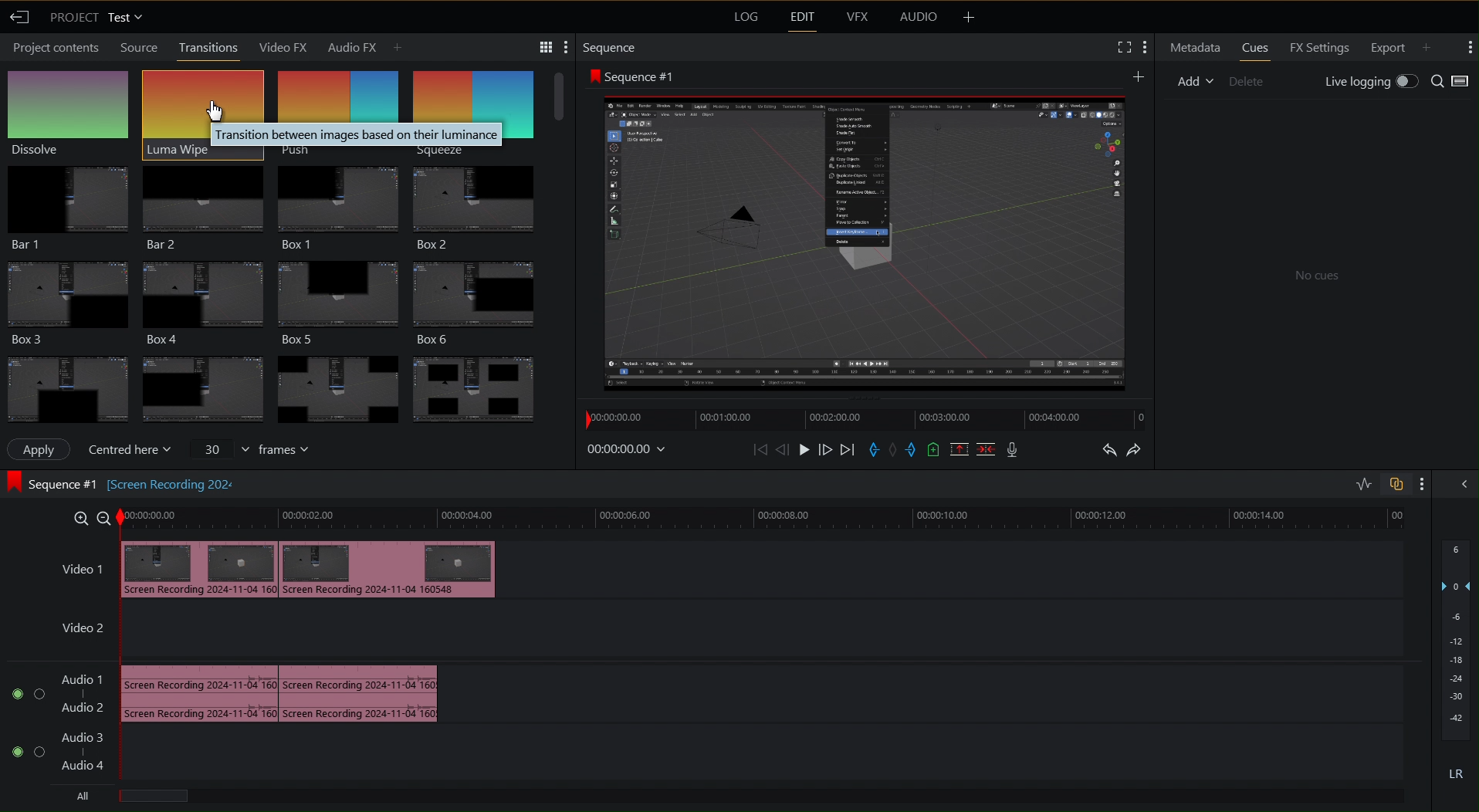 The width and height of the screenshot is (1479, 812). I want to click on No cues, so click(1314, 273).